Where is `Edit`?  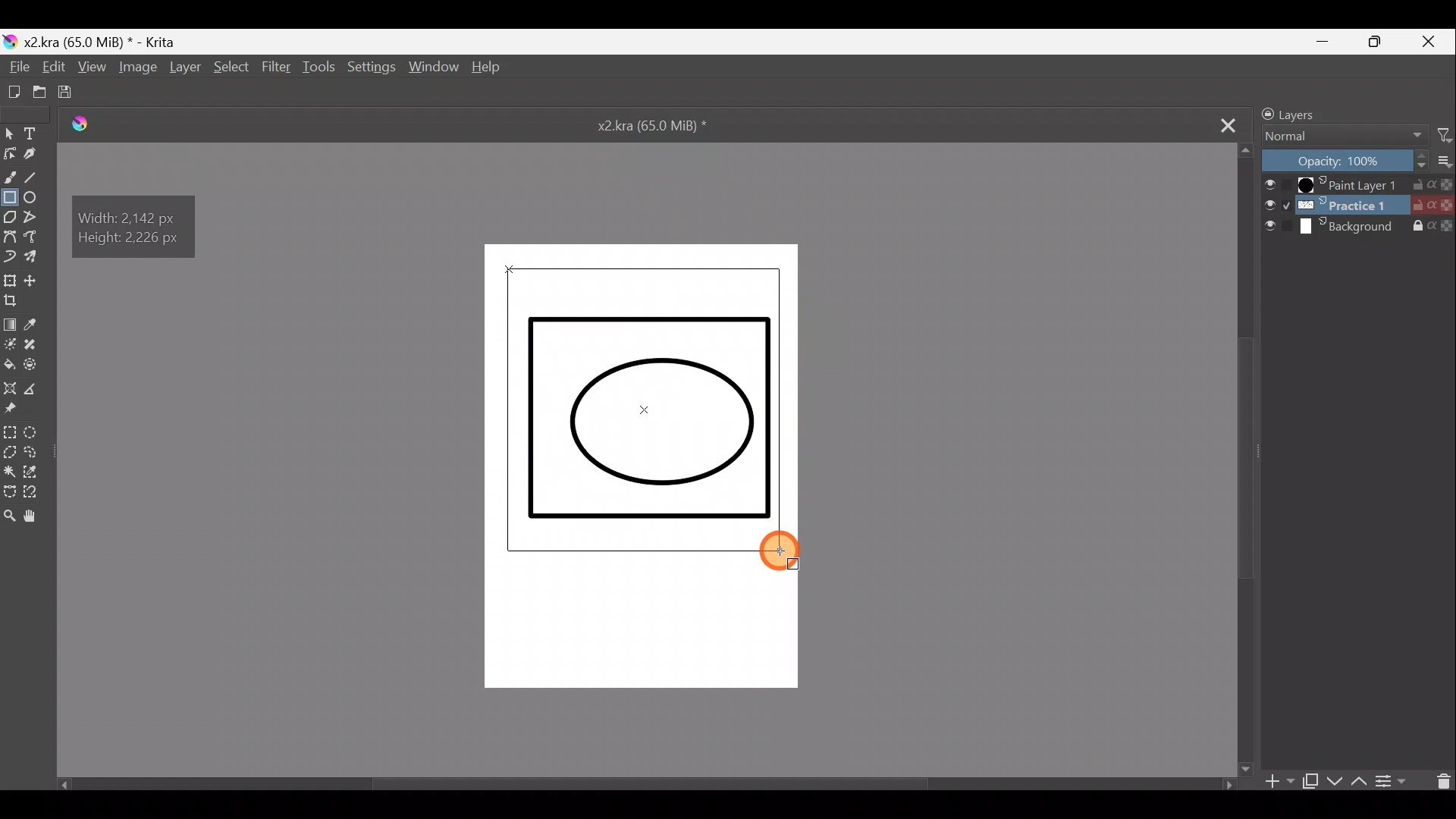
Edit is located at coordinates (49, 67).